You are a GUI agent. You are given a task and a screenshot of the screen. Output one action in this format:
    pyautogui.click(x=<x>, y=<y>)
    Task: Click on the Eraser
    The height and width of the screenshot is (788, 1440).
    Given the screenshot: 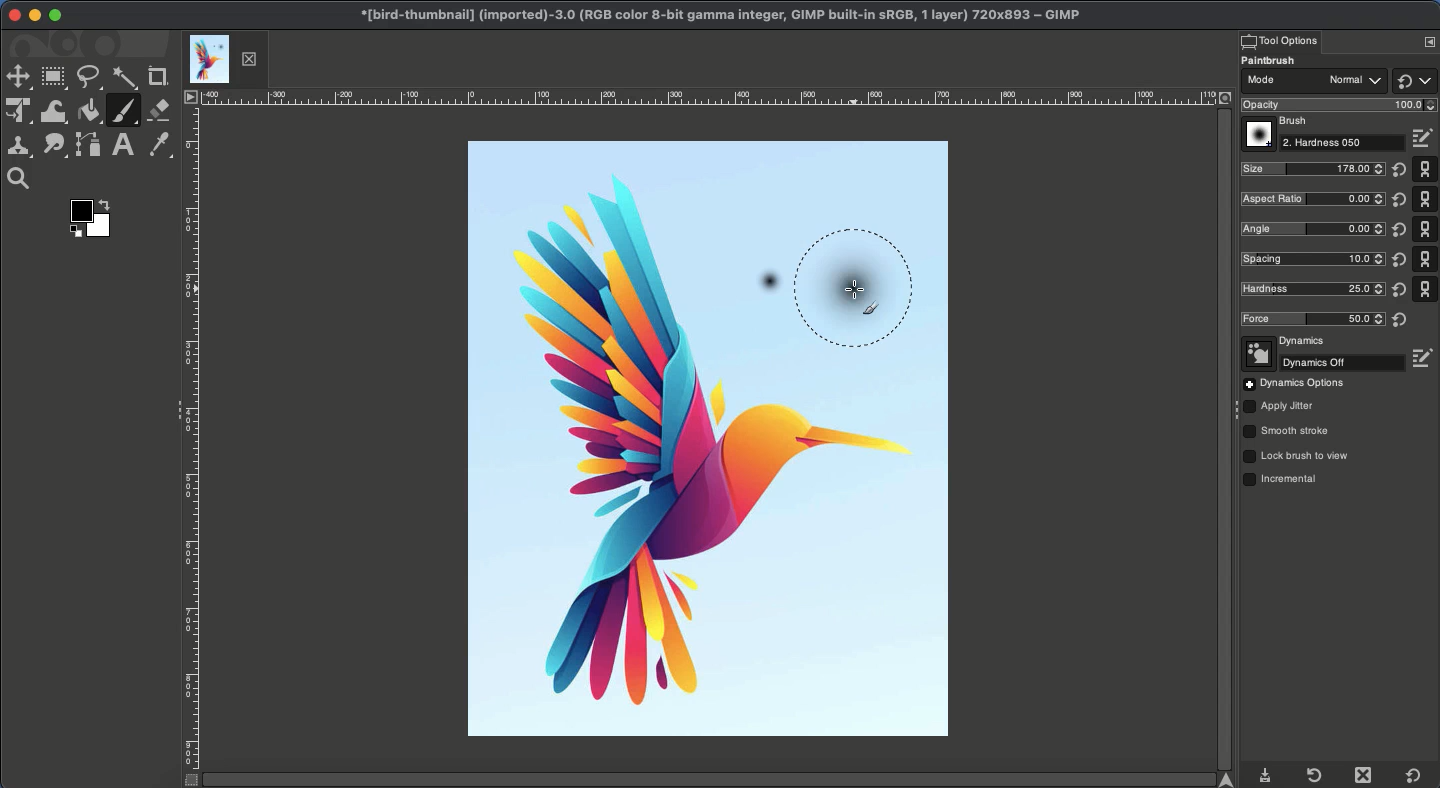 What is the action you would take?
    pyautogui.click(x=160, y=110)
    